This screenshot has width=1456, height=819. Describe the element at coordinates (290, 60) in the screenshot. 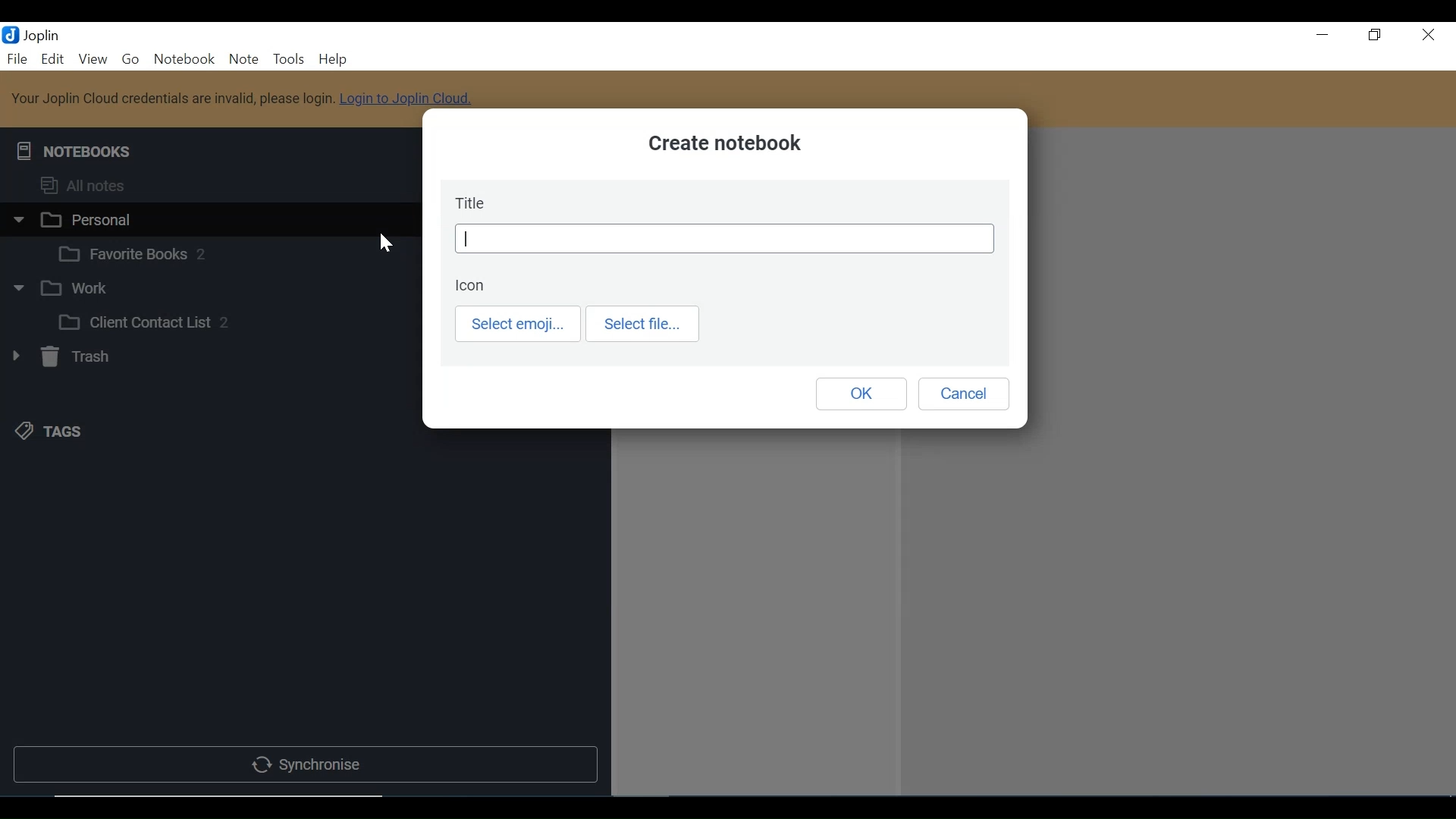

I see `Tools` at that location.